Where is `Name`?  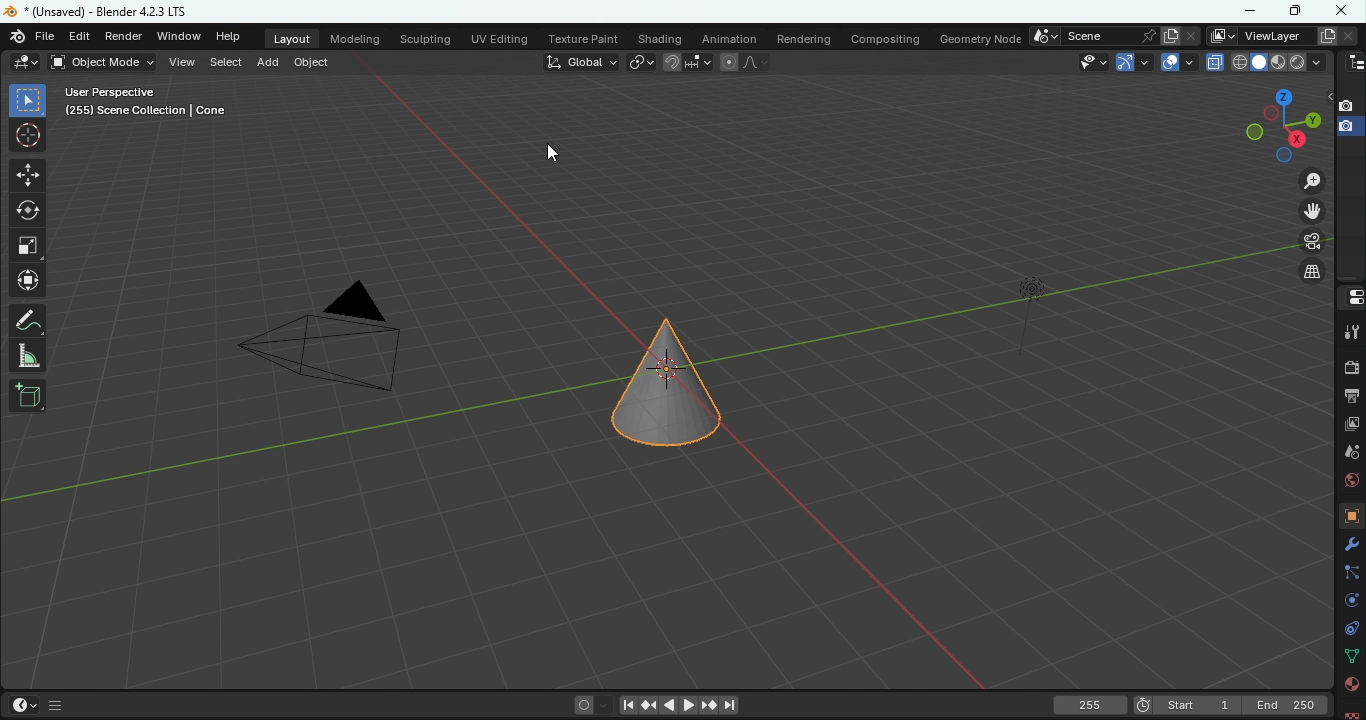
Name is located at coordinates (1097, 36).